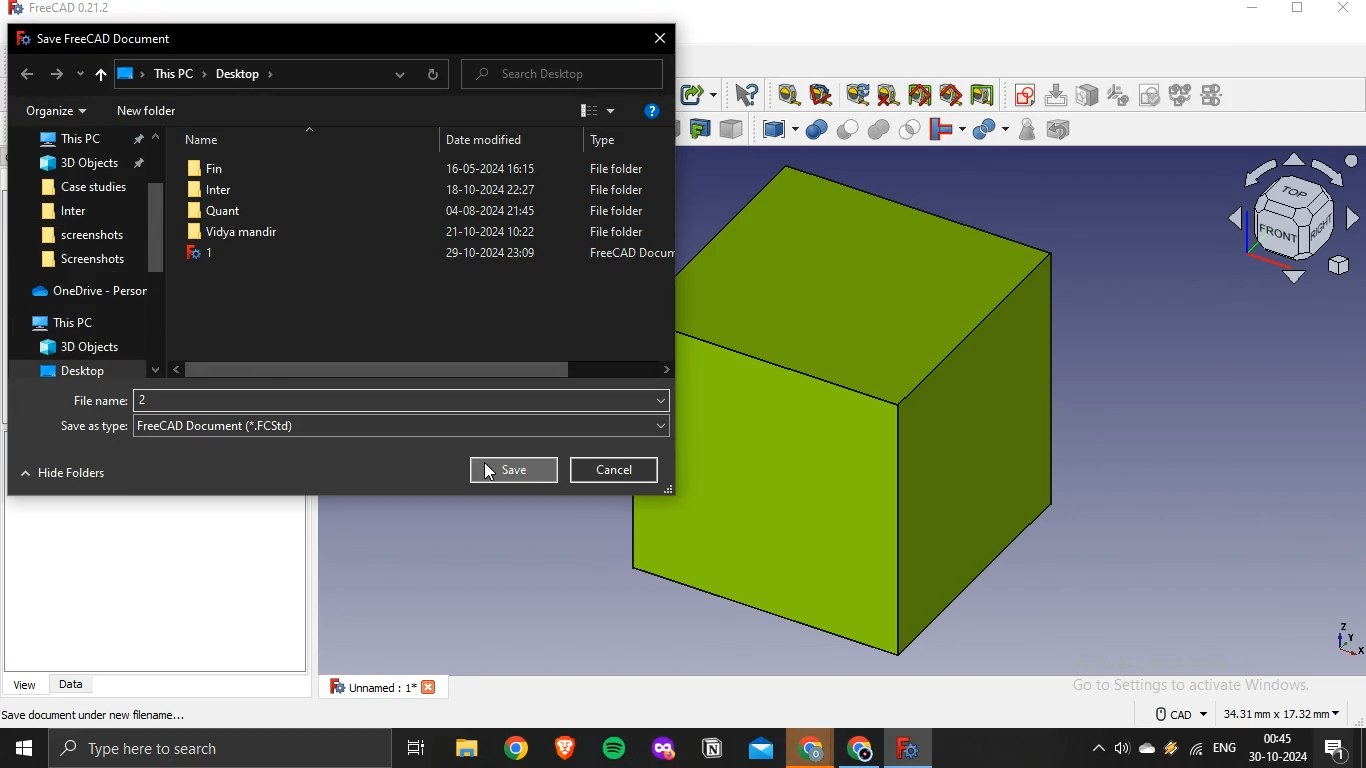  I want to click on restore, so click(1296, 8).